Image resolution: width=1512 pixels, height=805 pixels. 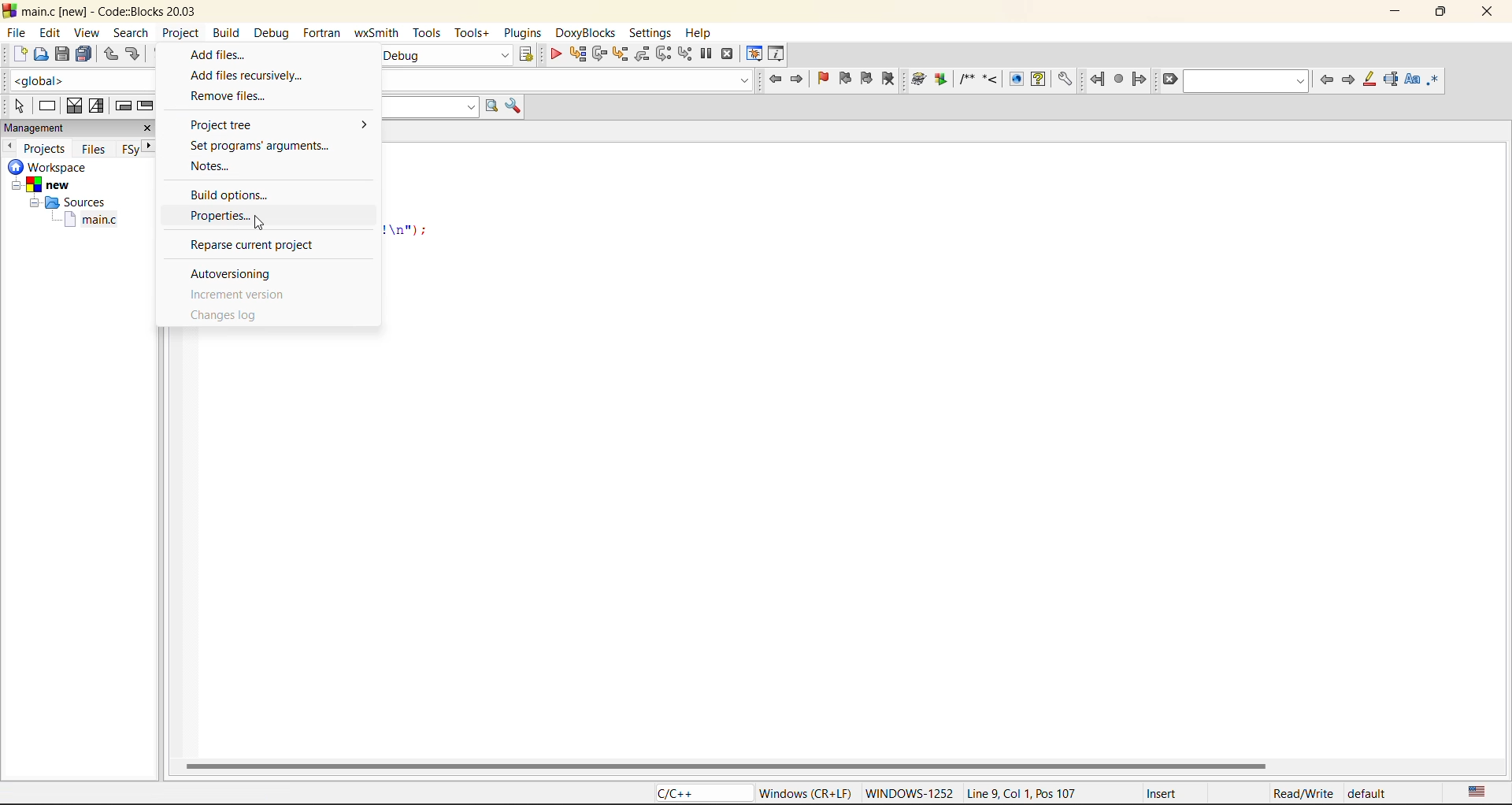 What do you see at coordinates (1349, 80) in the screenshot?
I see `next` at bounding box center [1349, 80].